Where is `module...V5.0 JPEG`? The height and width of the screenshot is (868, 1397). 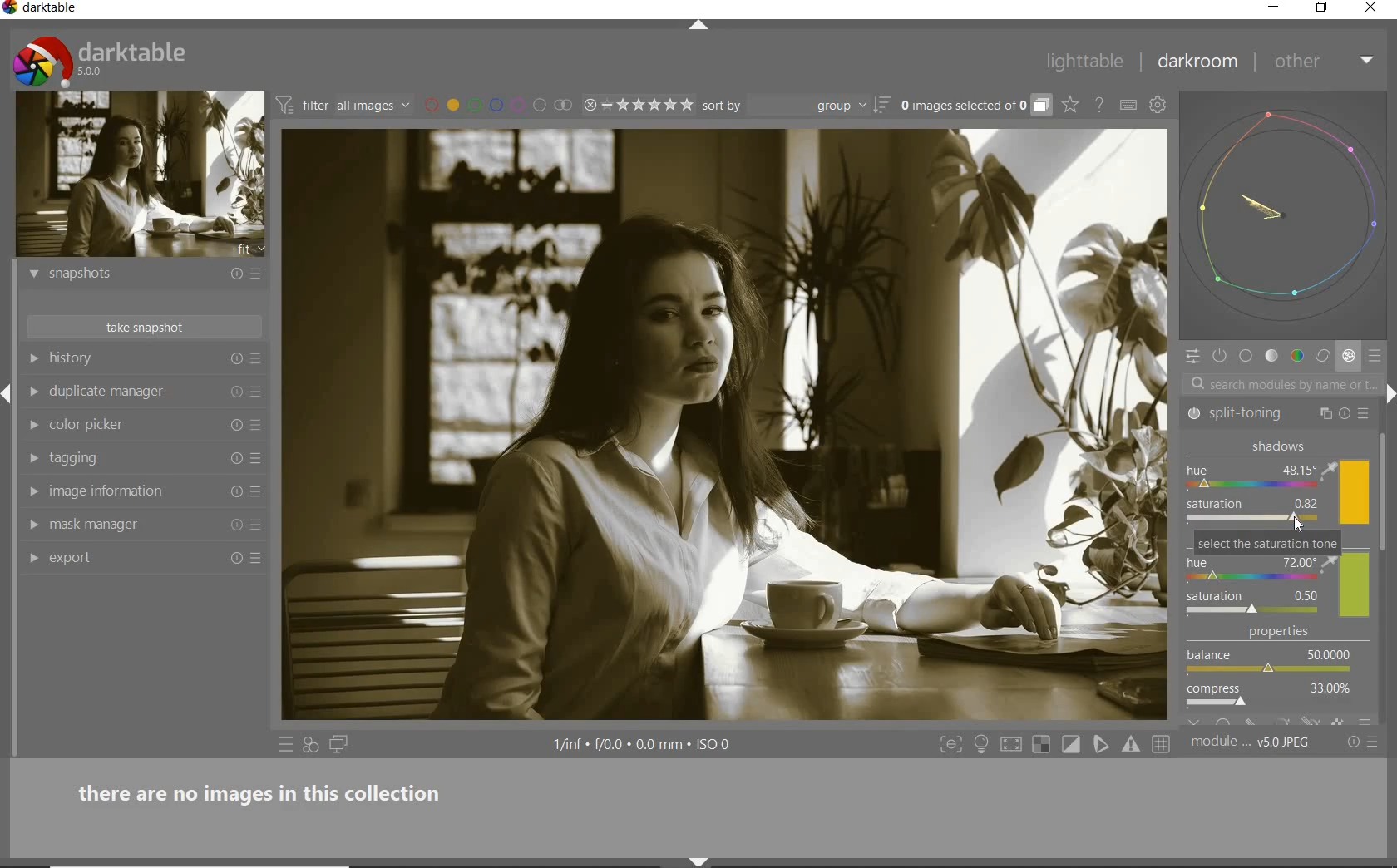 module...V5.0 JPEG is located at coordinates (1251, 742).